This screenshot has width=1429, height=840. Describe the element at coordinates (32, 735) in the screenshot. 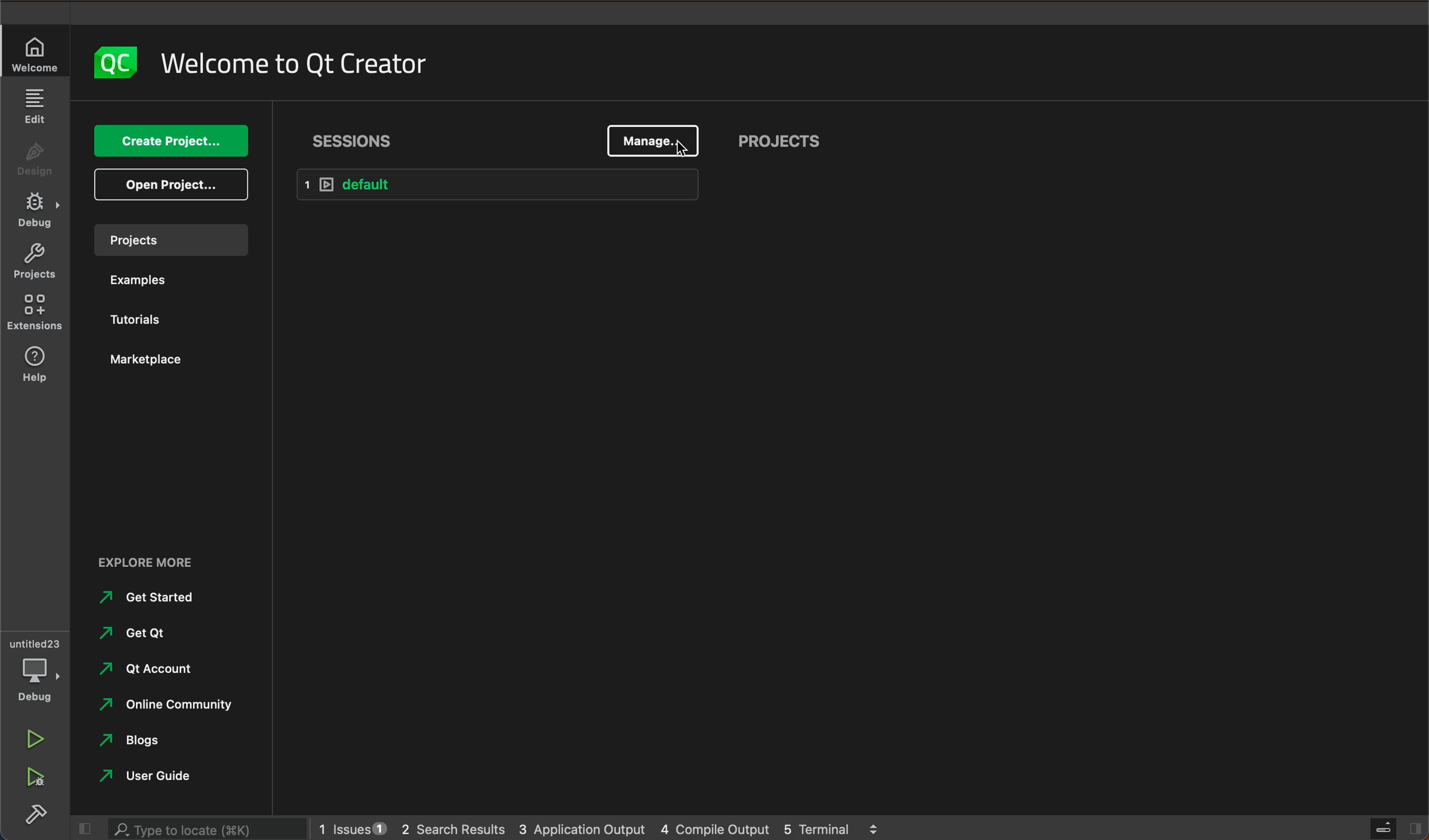

I see `run` at that location.